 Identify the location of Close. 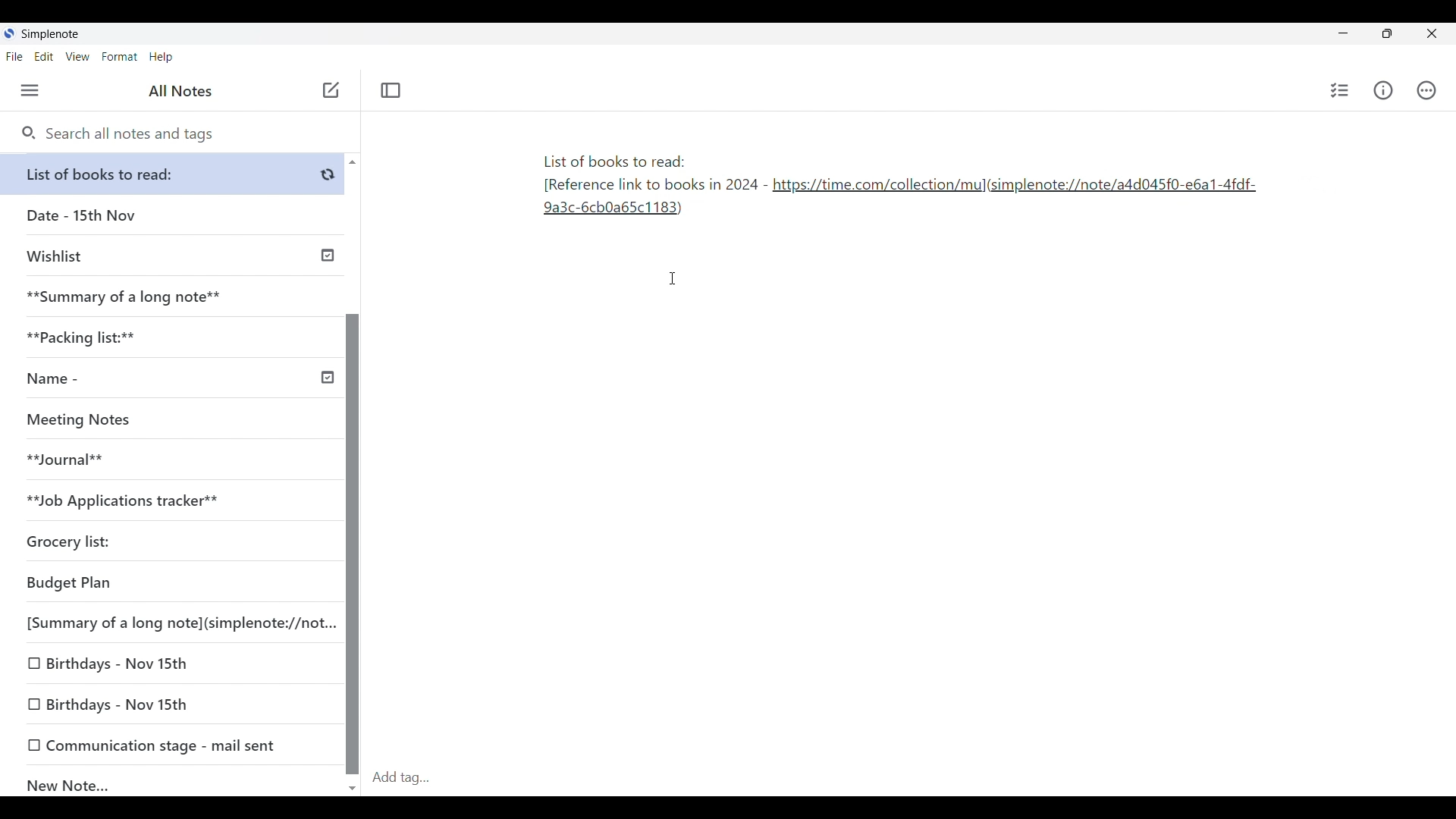
(1432, 34).